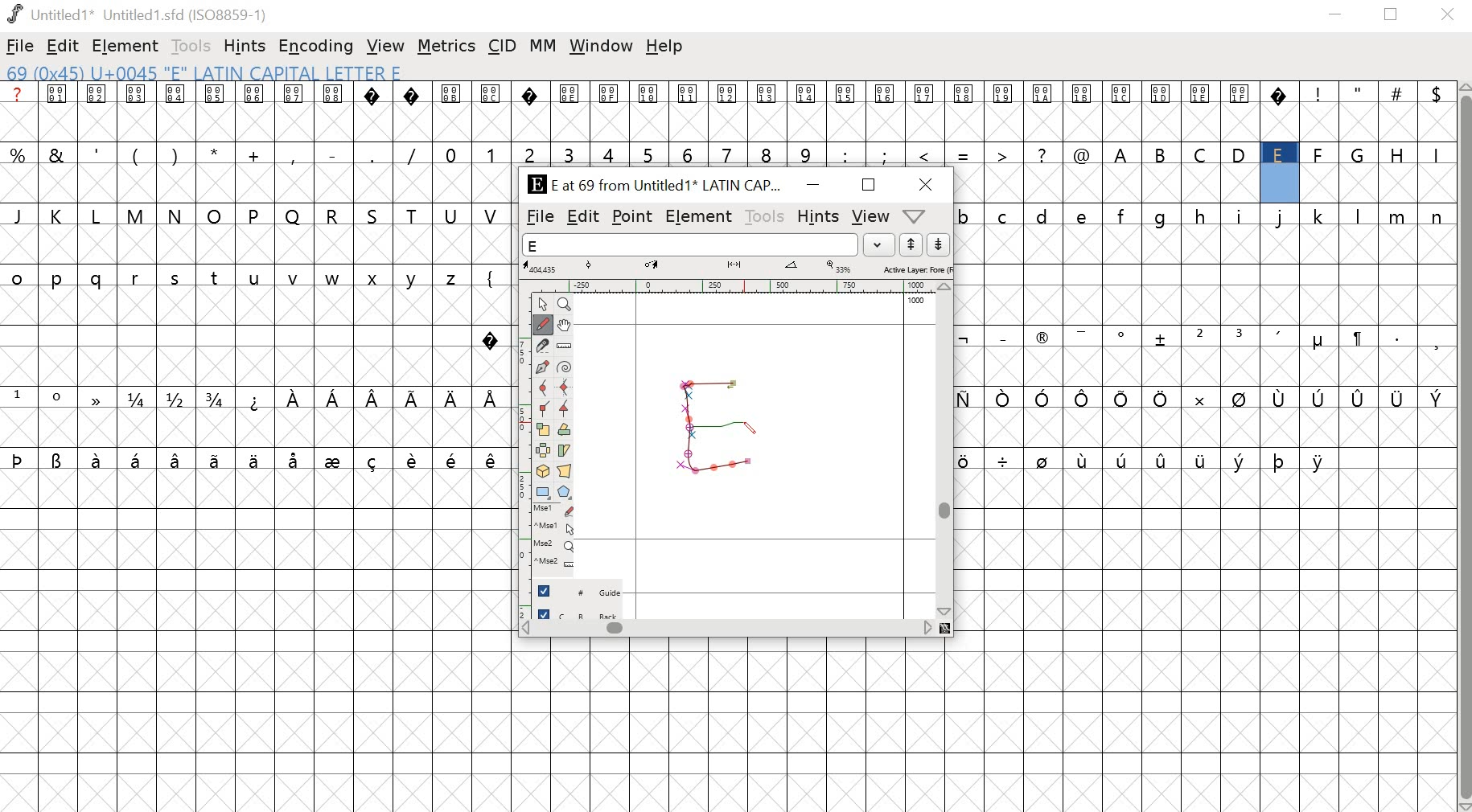  What do you see at coordinates (502, 47) in the screenshot?
I see `CID` at bounding box center [502, 47].